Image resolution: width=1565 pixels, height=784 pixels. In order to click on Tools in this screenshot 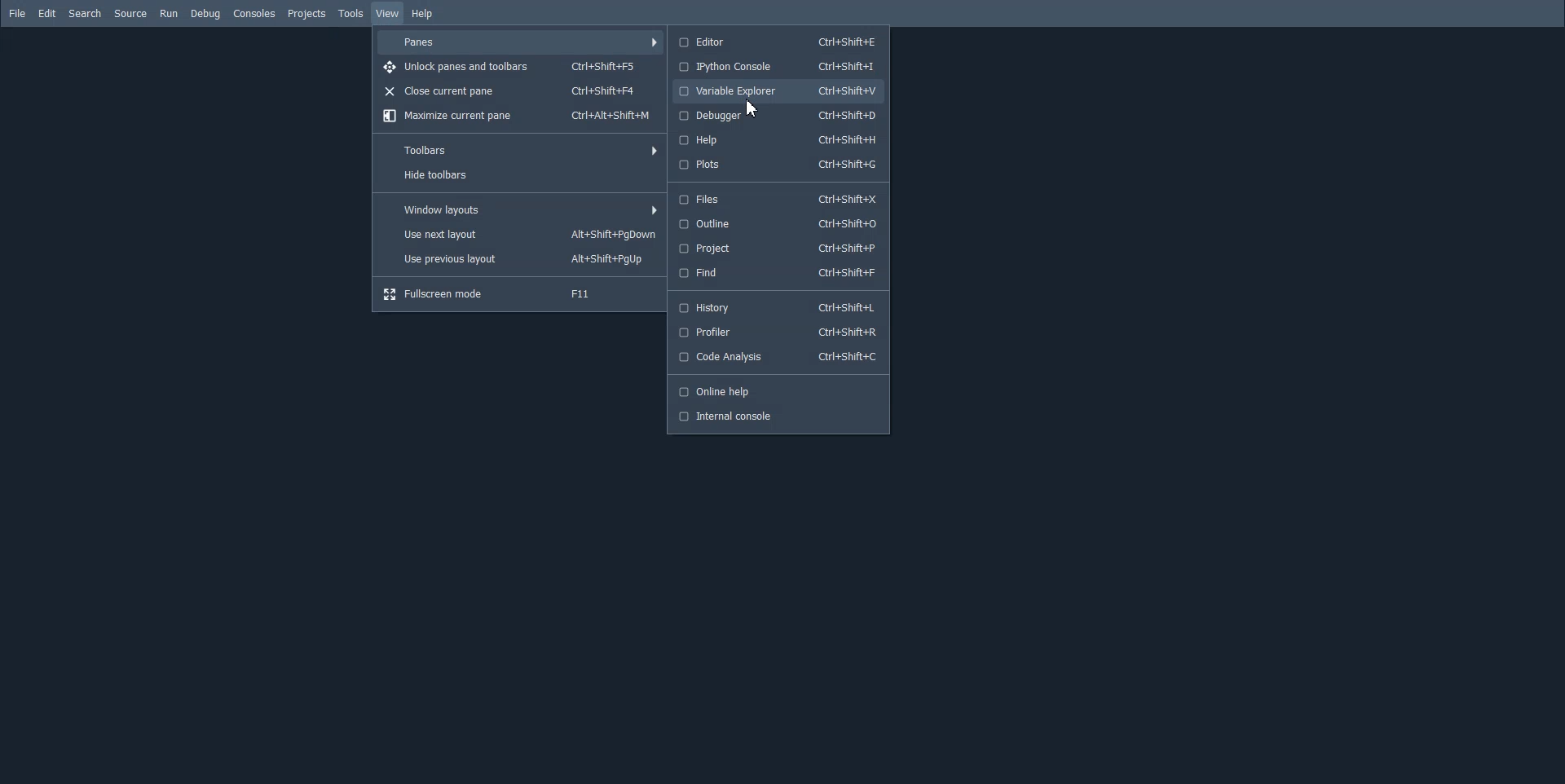, I will do `click(350, 13)`.